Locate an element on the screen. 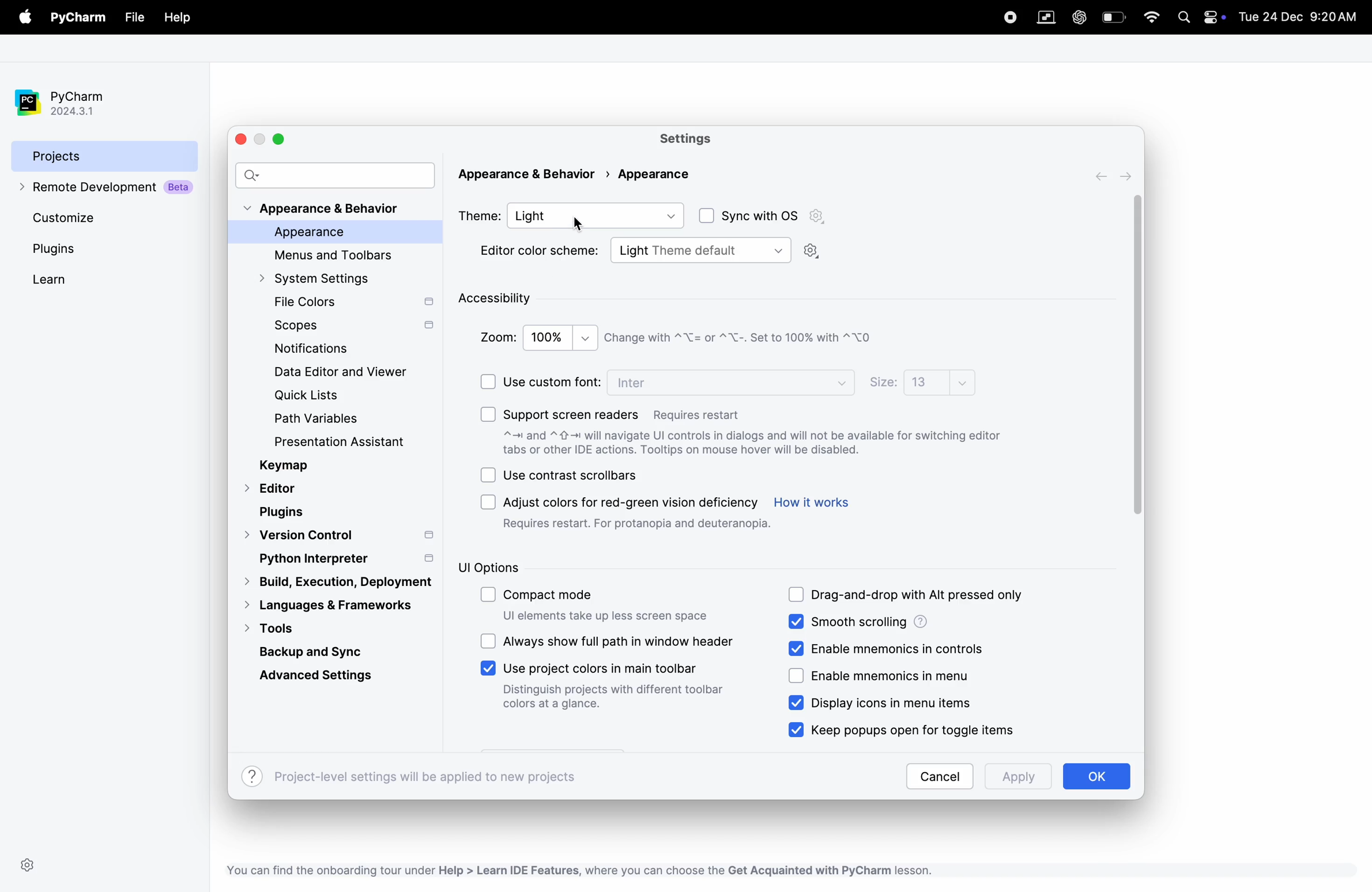 This screenshot has width=1372, height=892. checkbox is located at coordinates (488, 668).